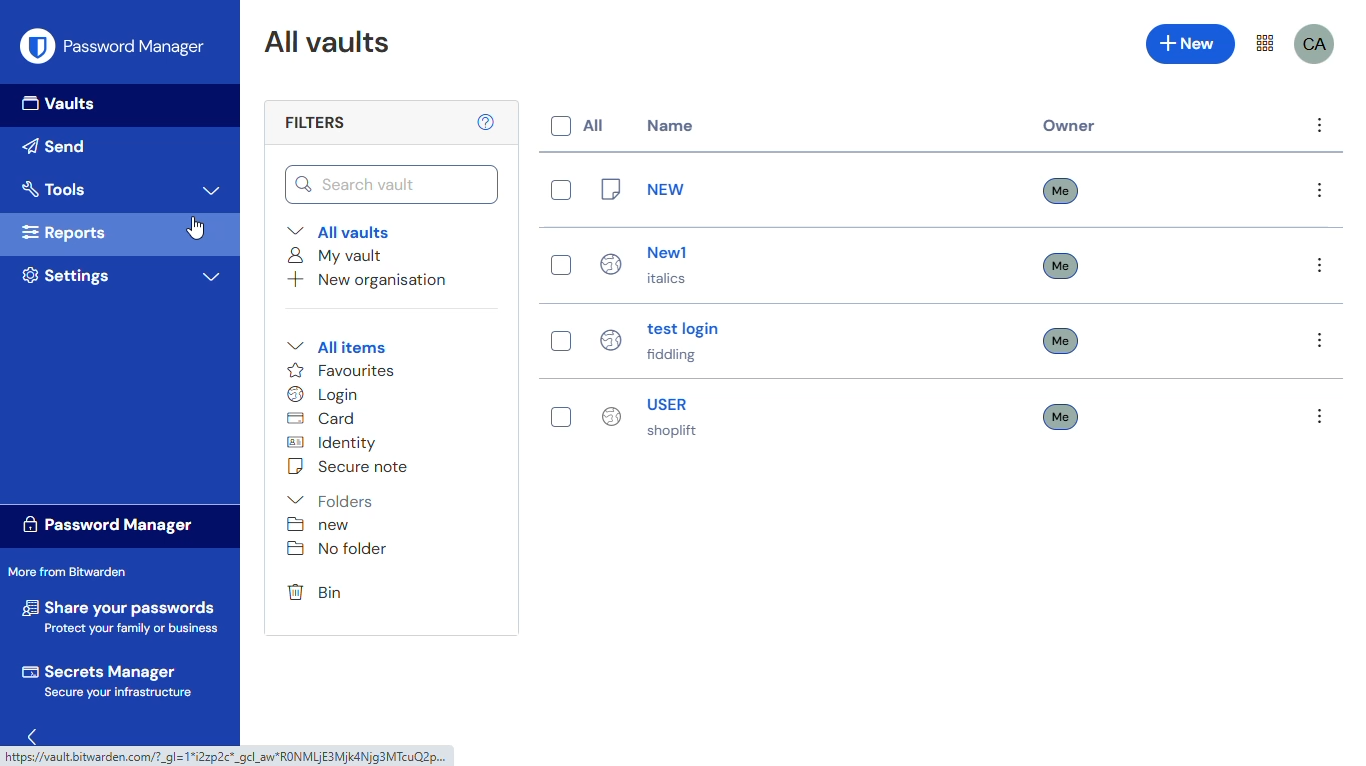  What do you see at coordinates (213, 190) in the screenshot?
I see `toggle expand` at bounding box center [213, 190].